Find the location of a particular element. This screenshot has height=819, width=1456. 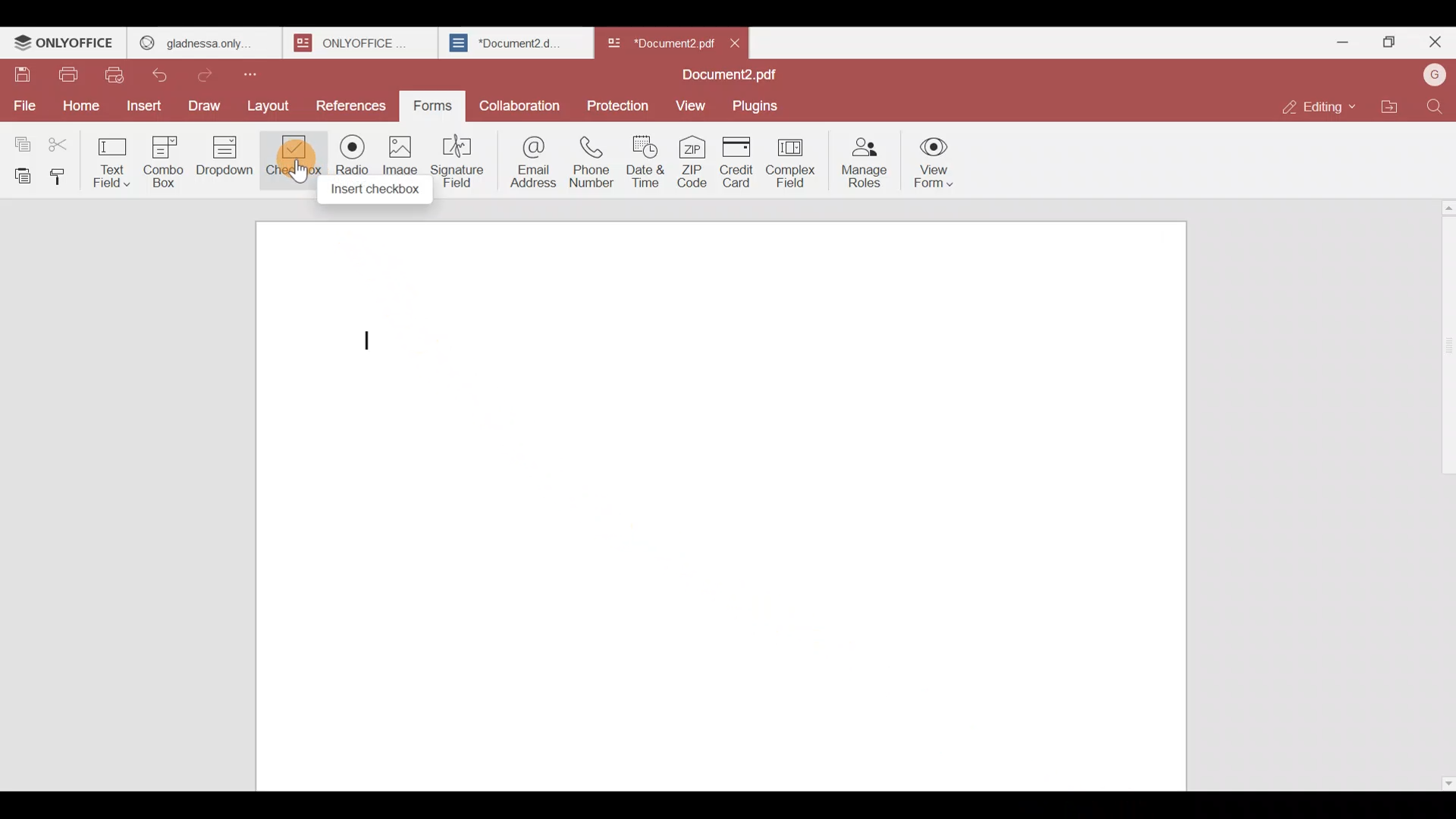

Maximize is located at coordinates (1386, 41).